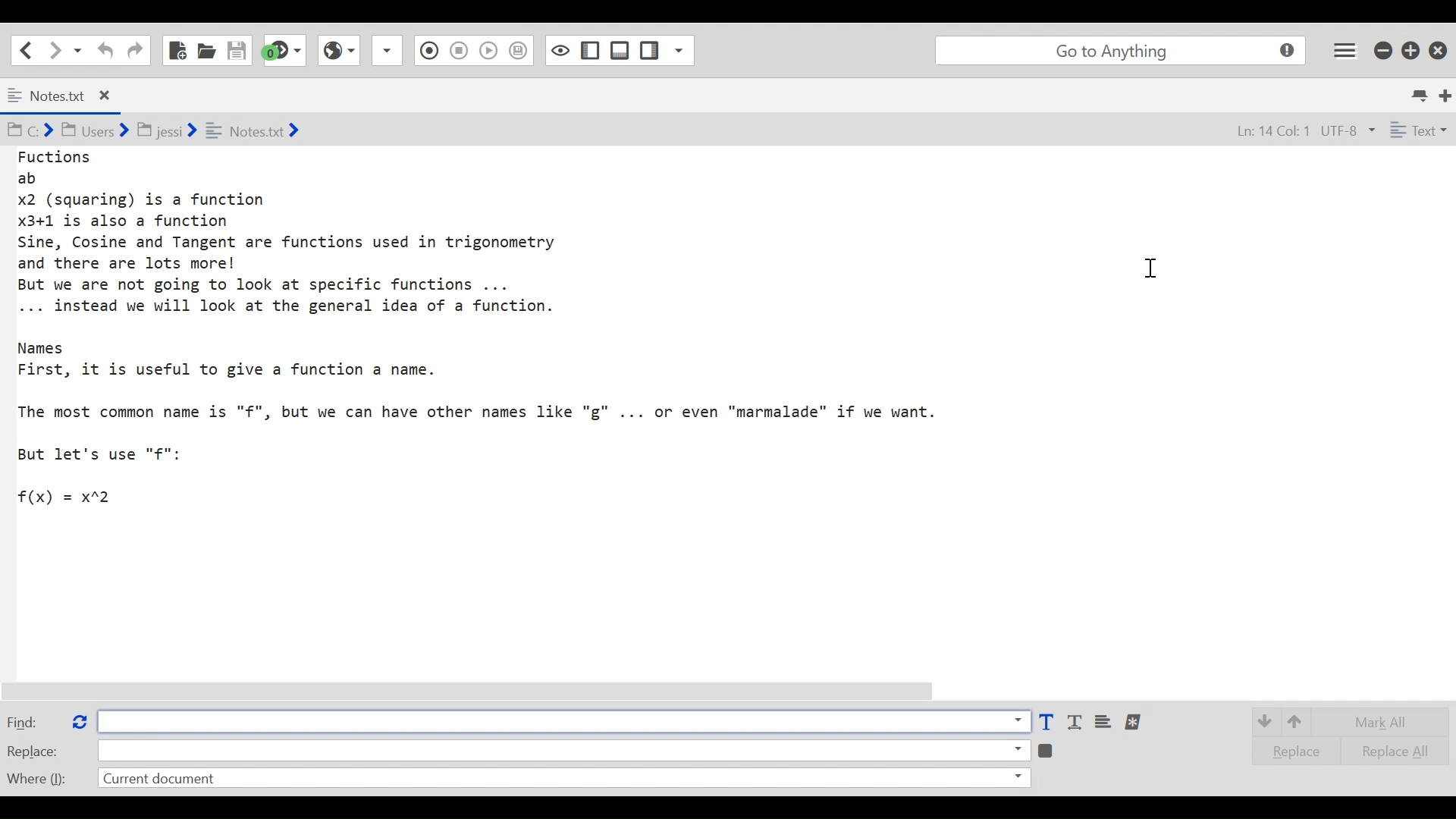 The height and width of the screenshot is (819, 1456). What do you see at coordinates (1124, 51) in the screenshot?
I see `go to anything` at bounding box center [1124, 51].